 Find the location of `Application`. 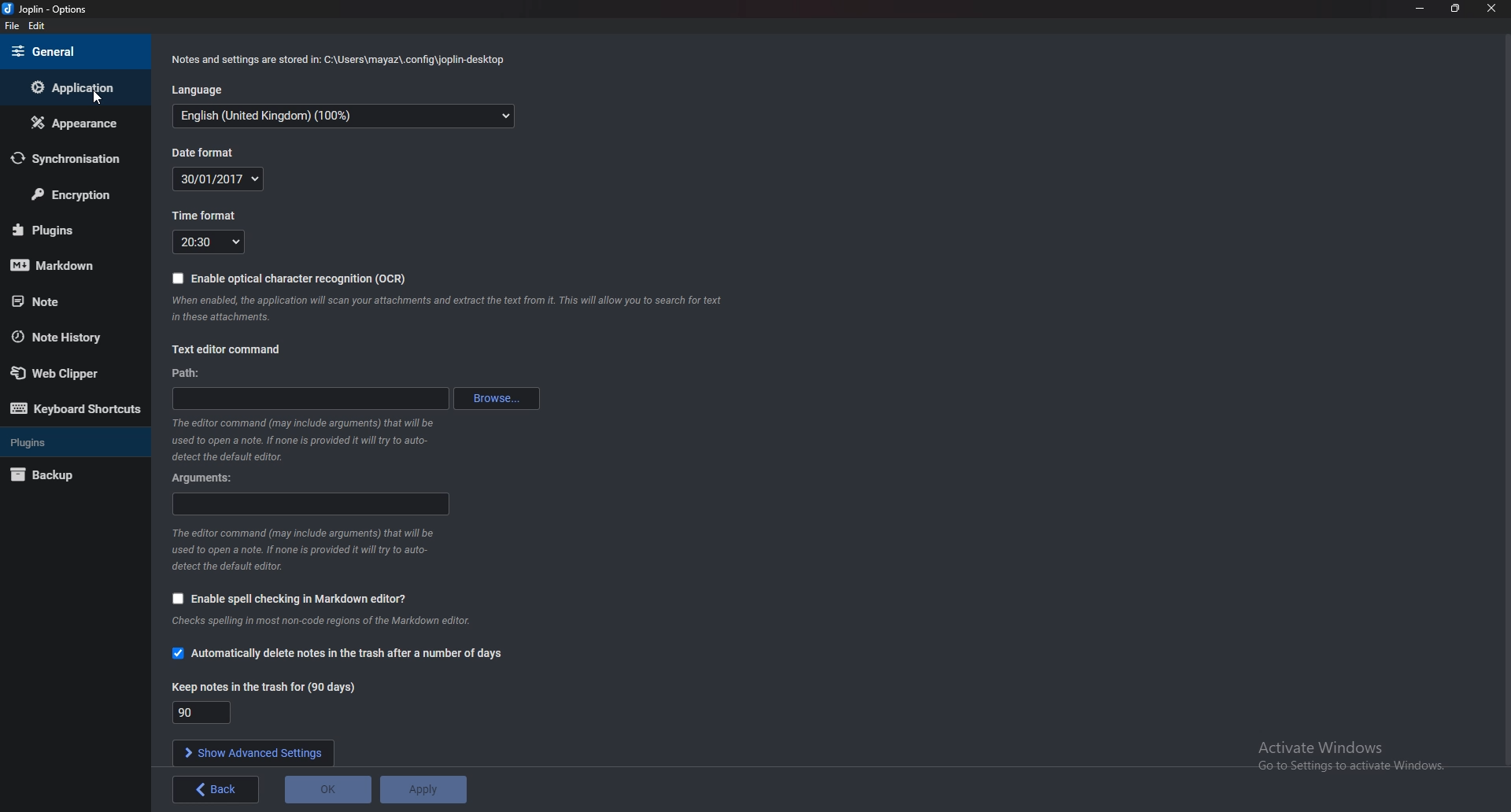

Application is located at coordinates (73, 88).